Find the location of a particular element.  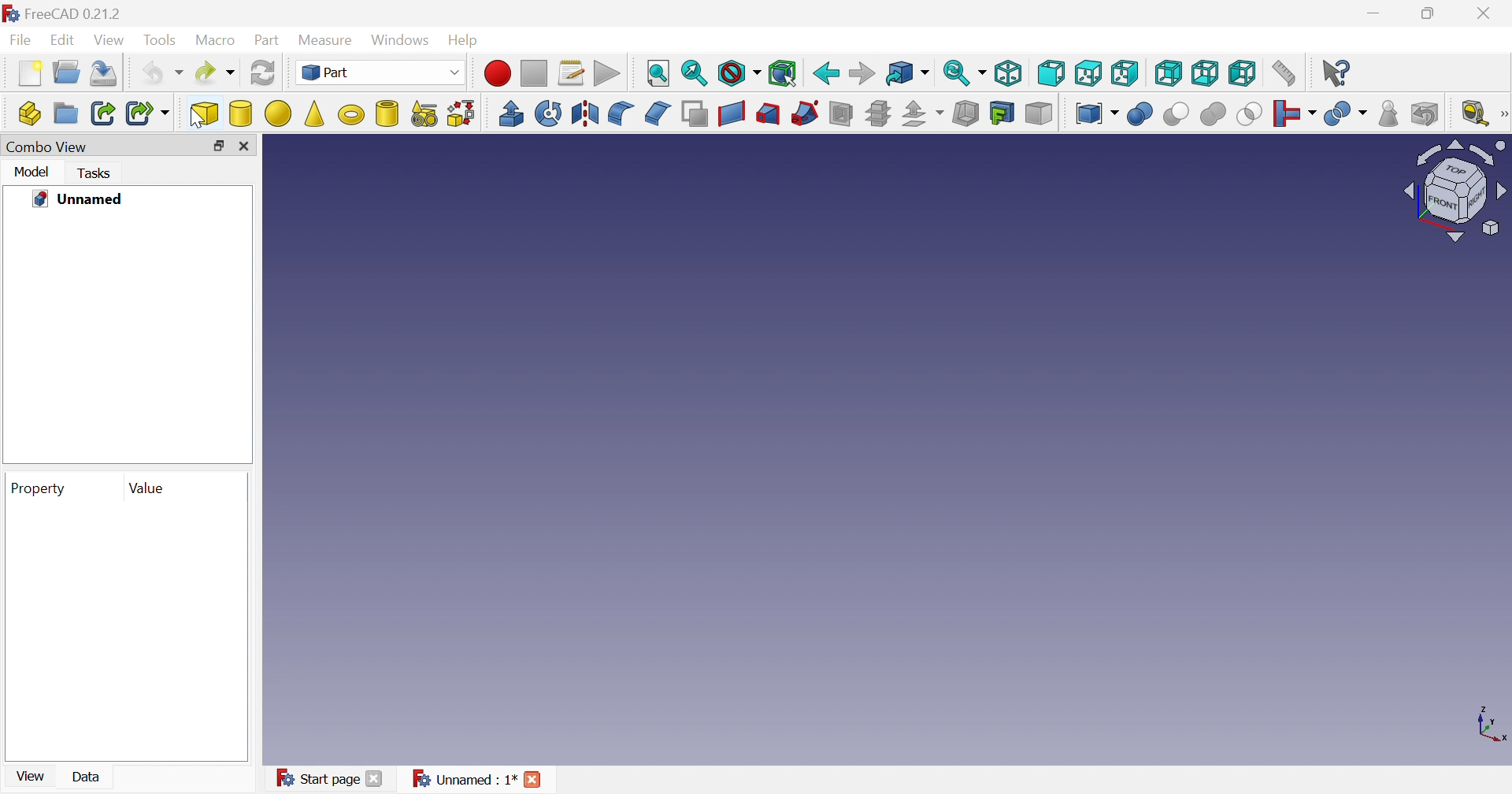

View is located at coordinates (112, 42).